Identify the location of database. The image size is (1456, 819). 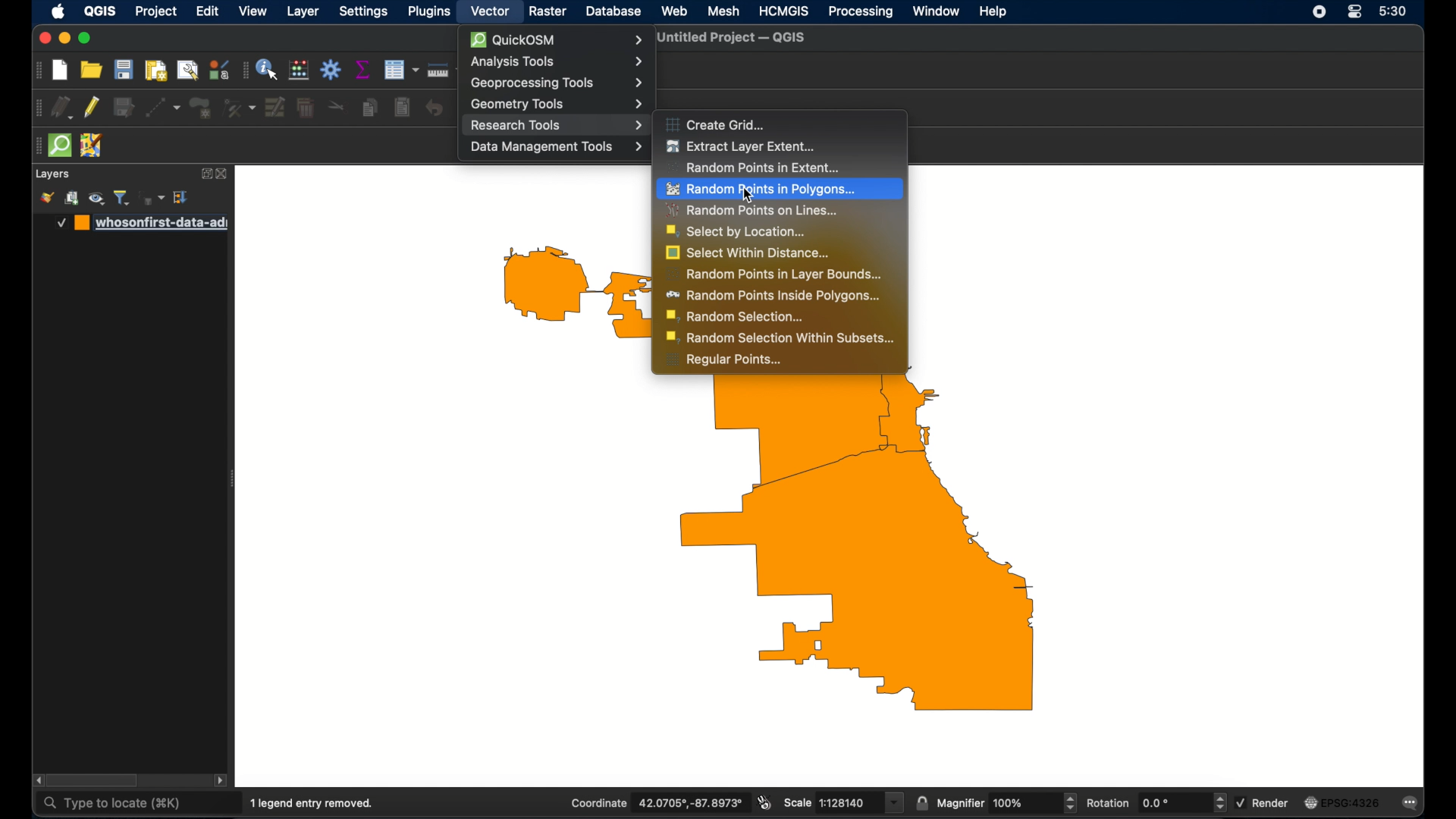
(613, 11).